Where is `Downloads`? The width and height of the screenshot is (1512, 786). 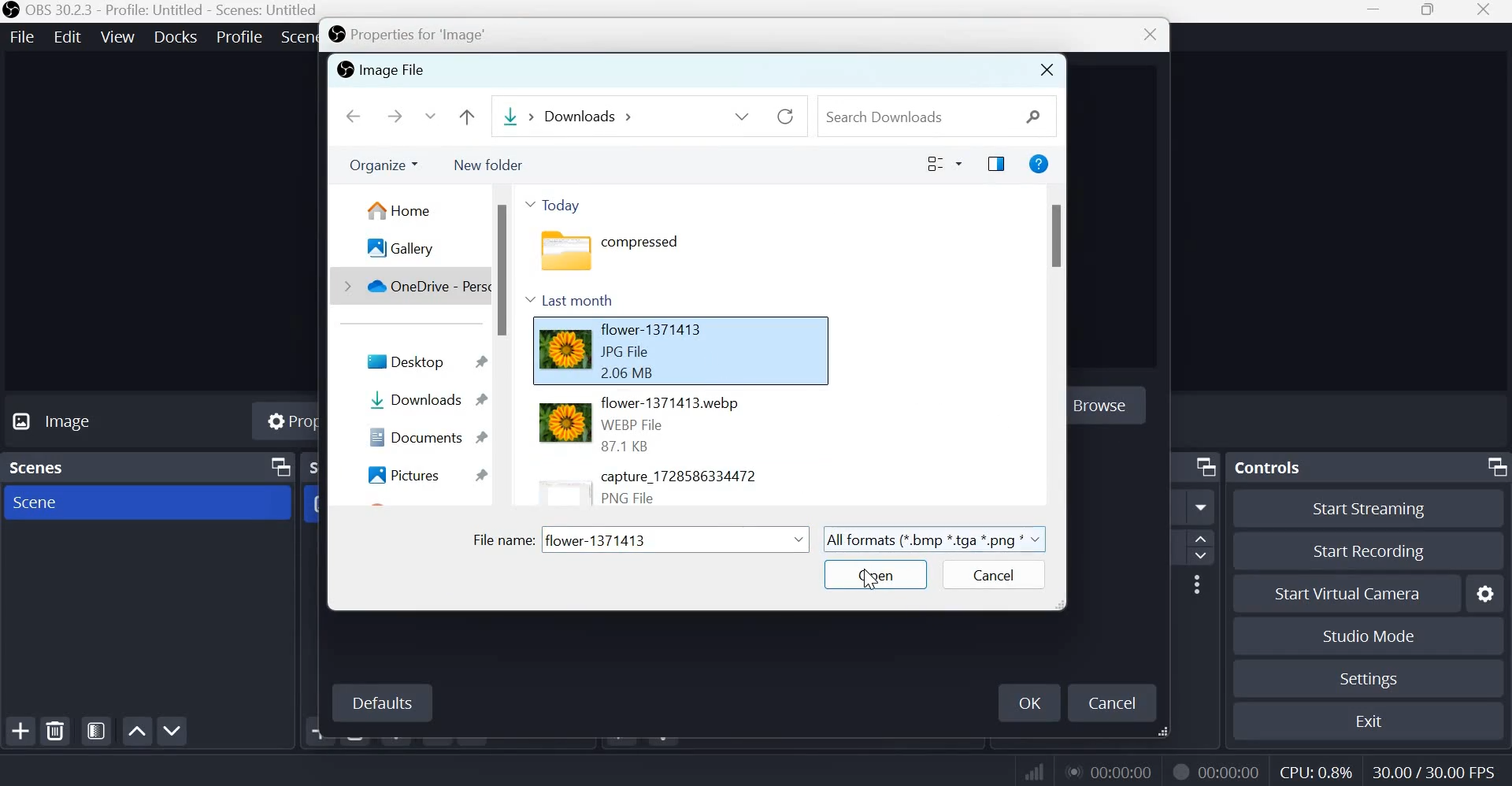 Downloads is located at coordinates (422, 400).